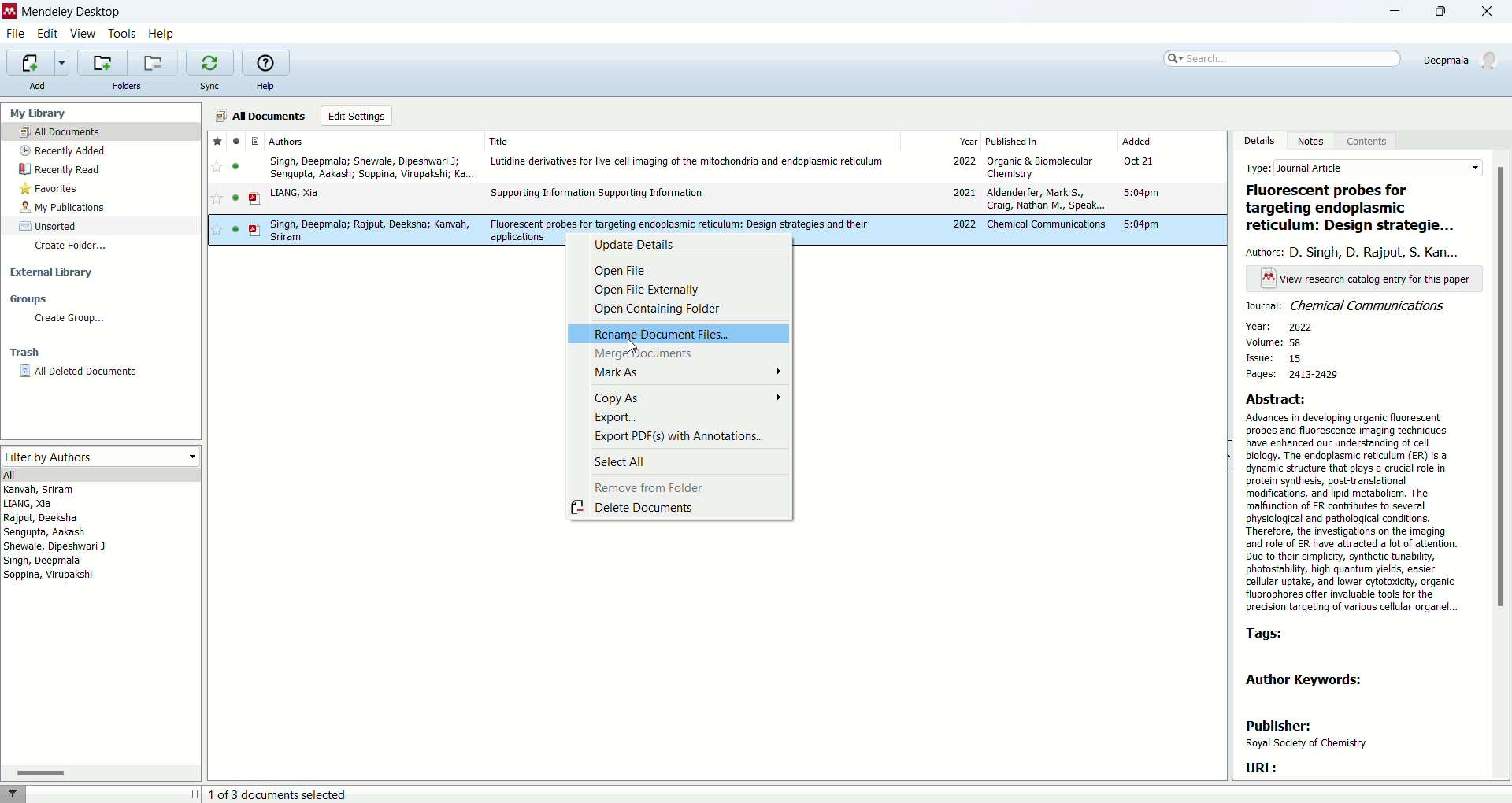 The width and height of the screenshot is (1512, 803). I want to click on search, so click(1280, 62).